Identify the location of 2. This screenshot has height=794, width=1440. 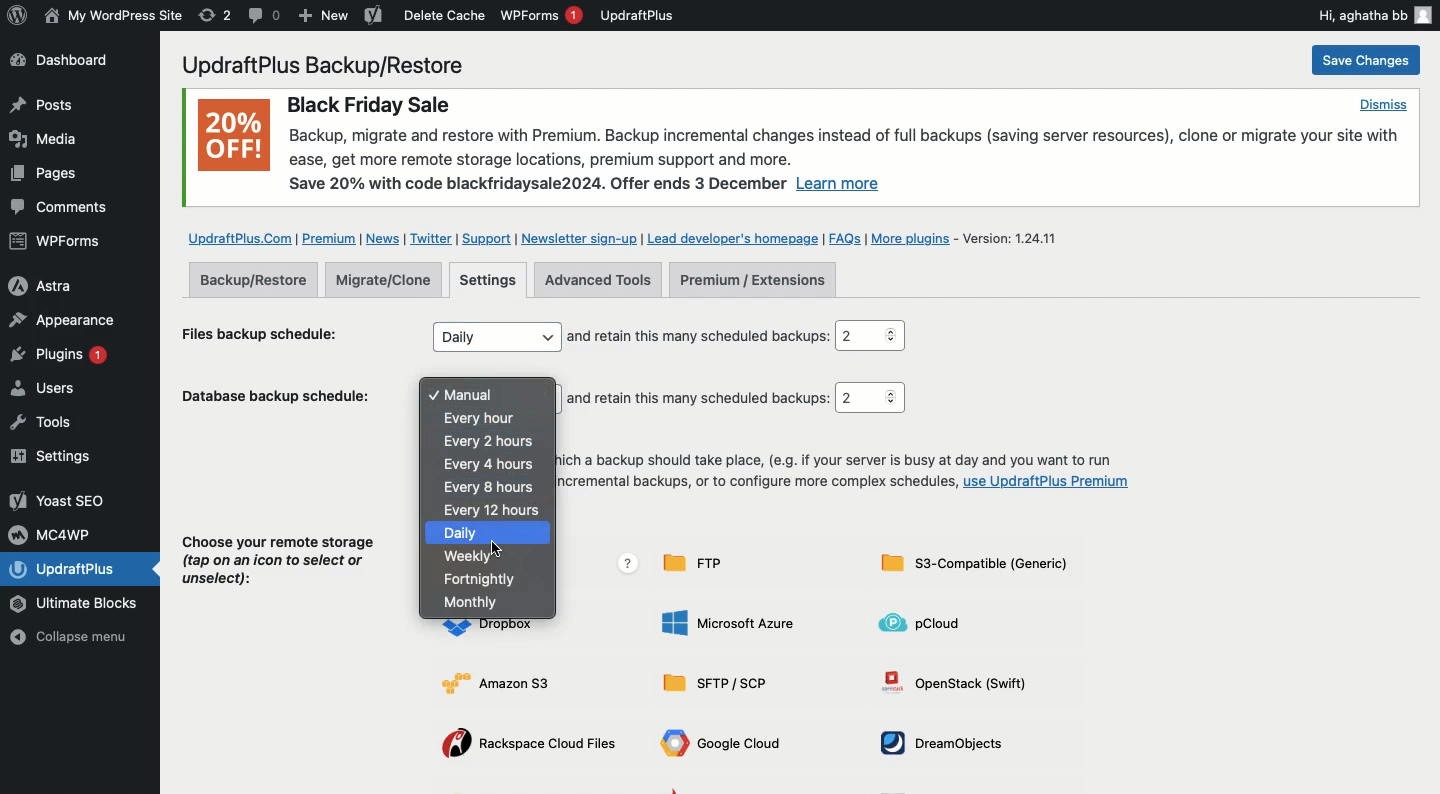
(874, 336).